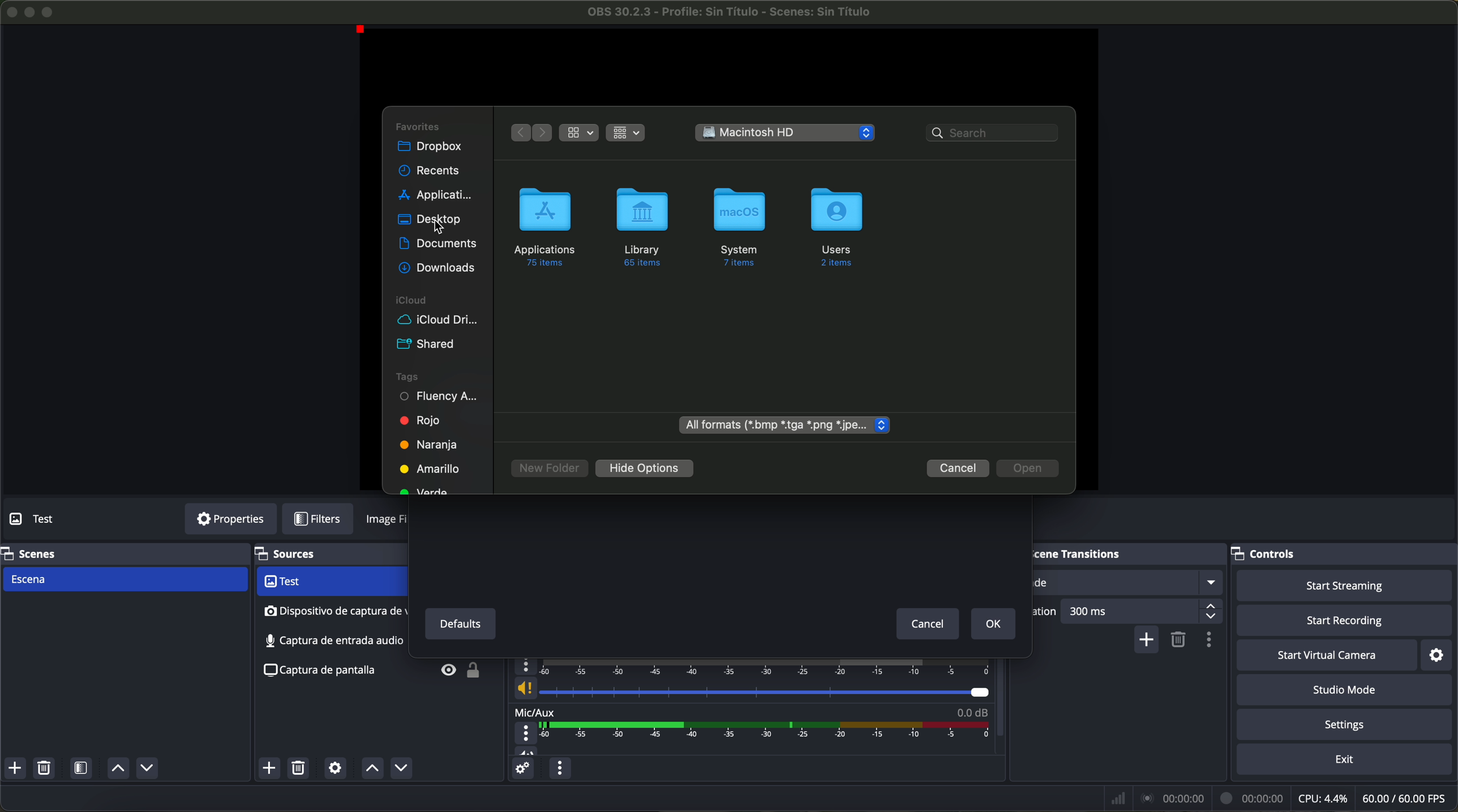  What do you see at coordinates (1346, 761) in the screenshot?
I see `exit` at bounding box center [1346, 761].